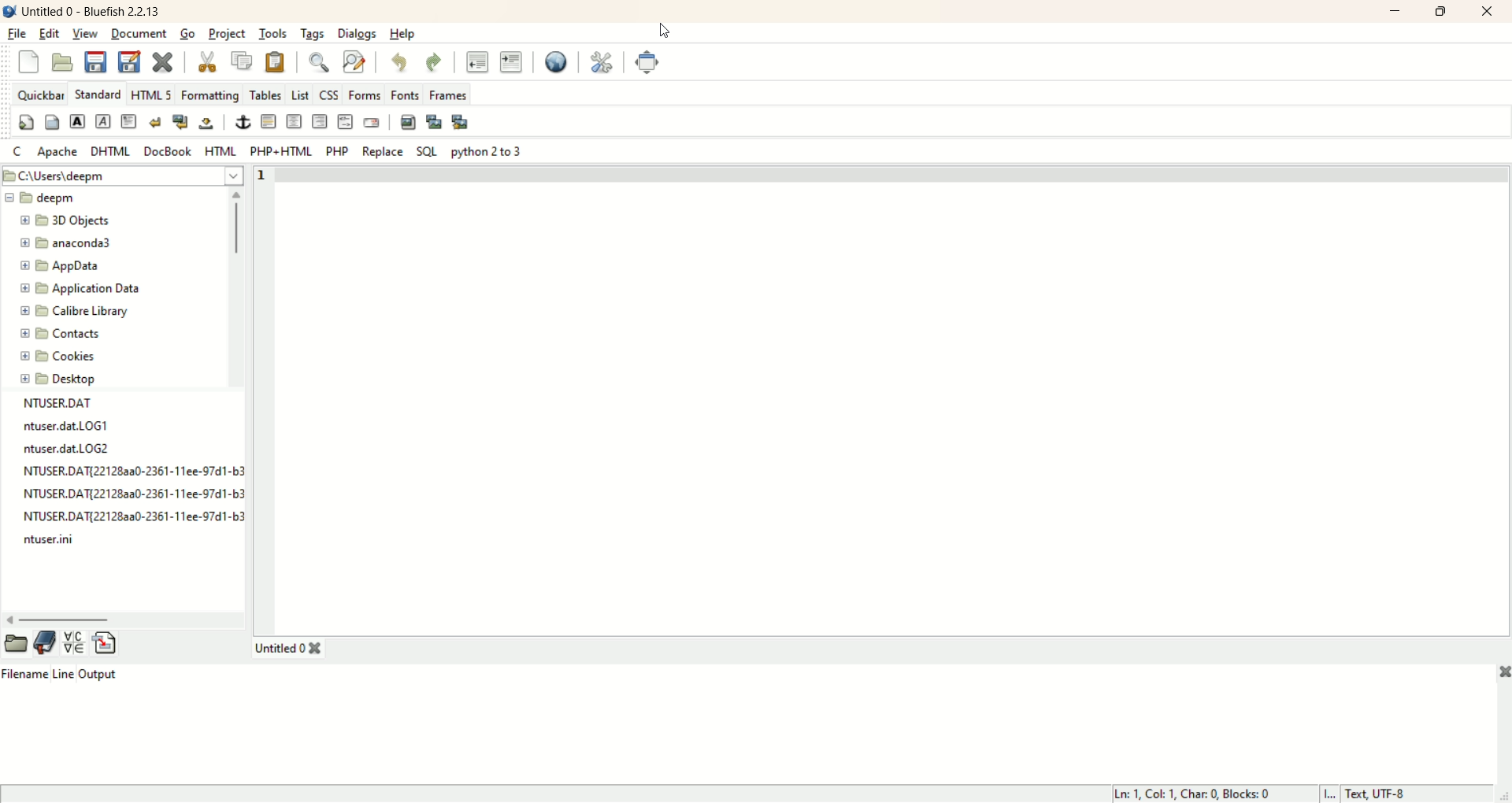  Describe the element at coordinates (382, 152) in the screenshot. I see `replace` at that location.